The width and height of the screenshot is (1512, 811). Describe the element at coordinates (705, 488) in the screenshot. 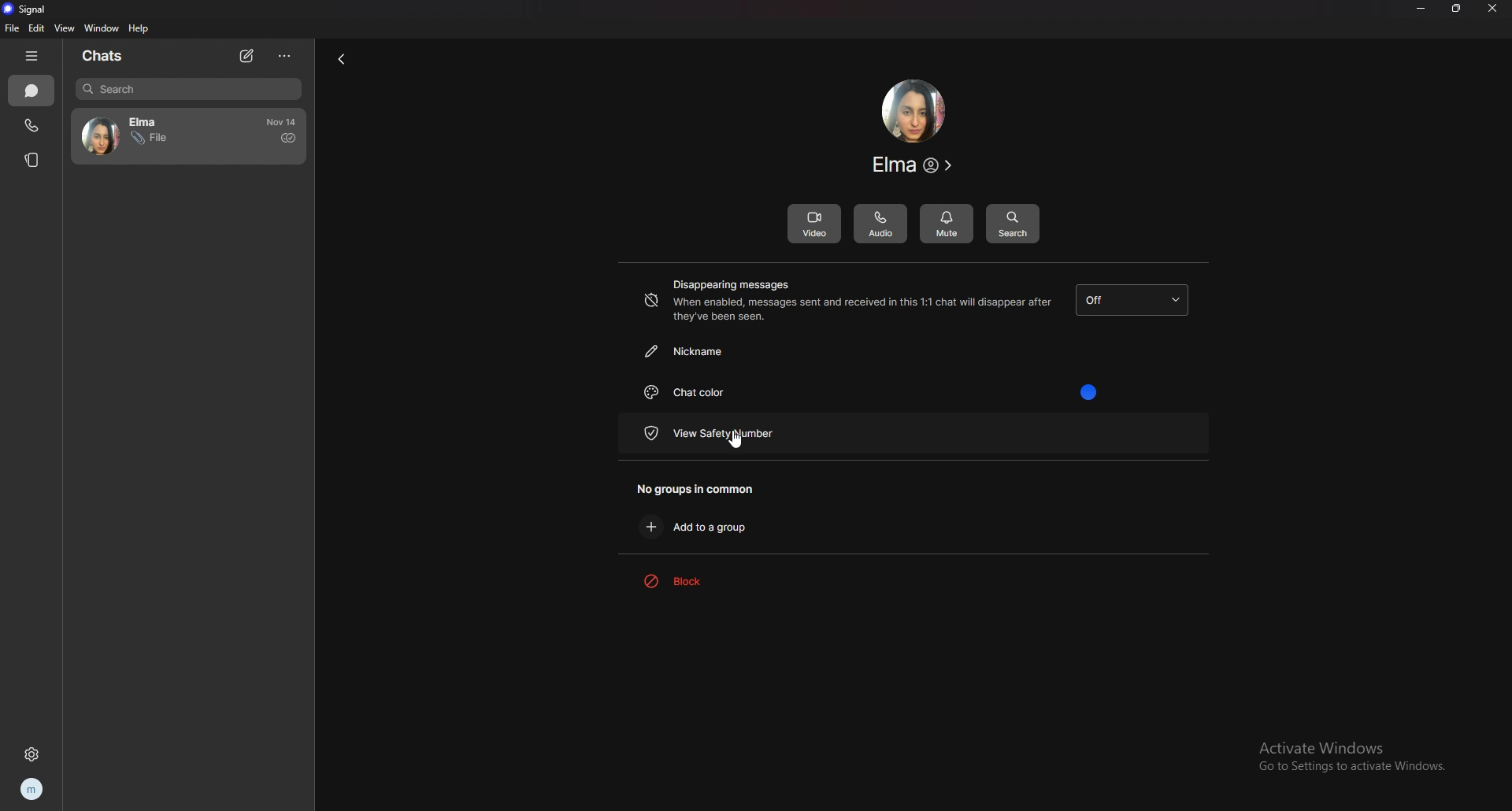

I see `no groups in common` at that location.